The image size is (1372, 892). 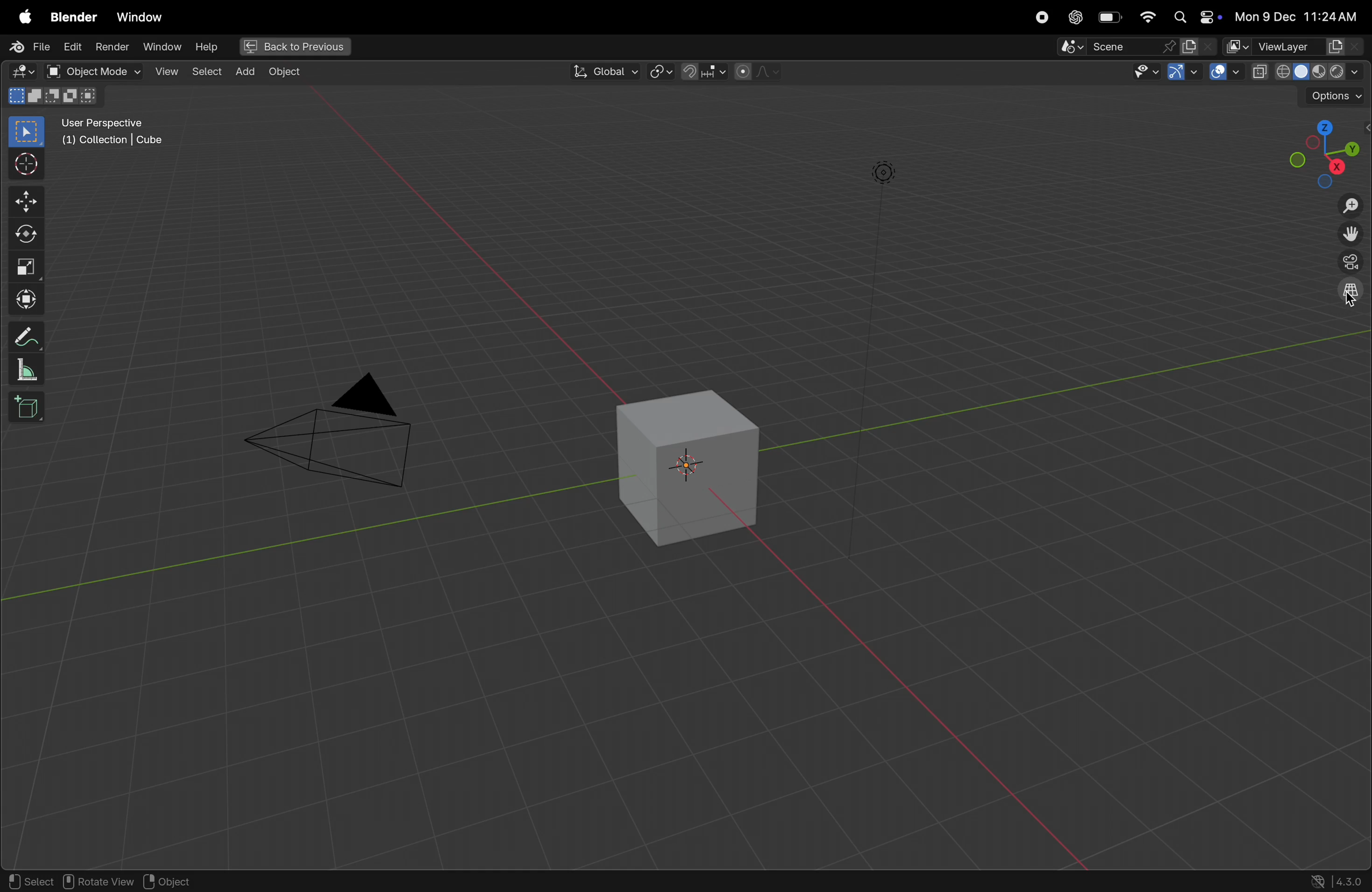 What do you see at coordinates (54, 97) in the screenshot?
I see `mode` at bounding box center [54, 97].